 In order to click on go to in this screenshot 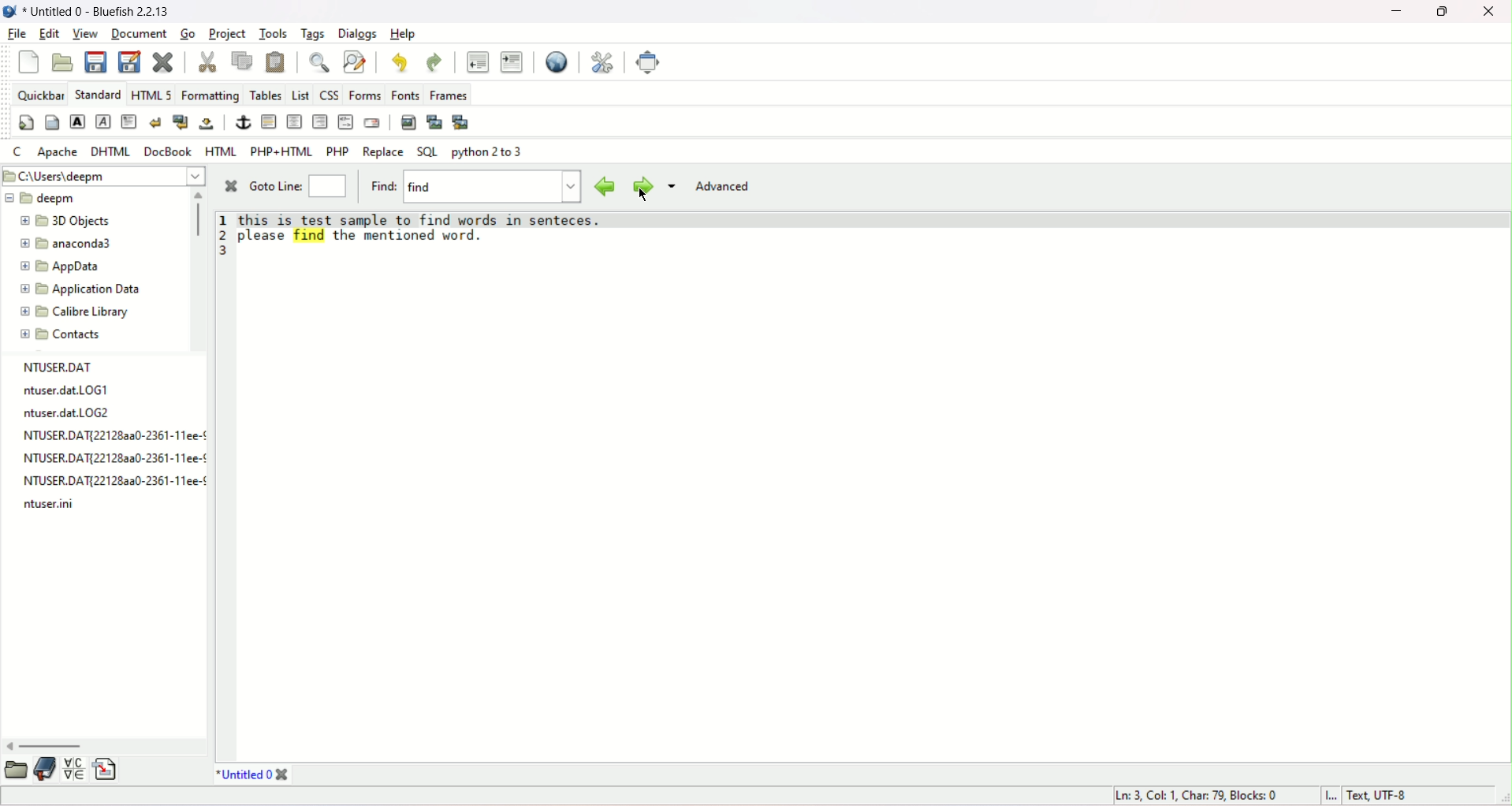, I will do `click(275, 185)`.